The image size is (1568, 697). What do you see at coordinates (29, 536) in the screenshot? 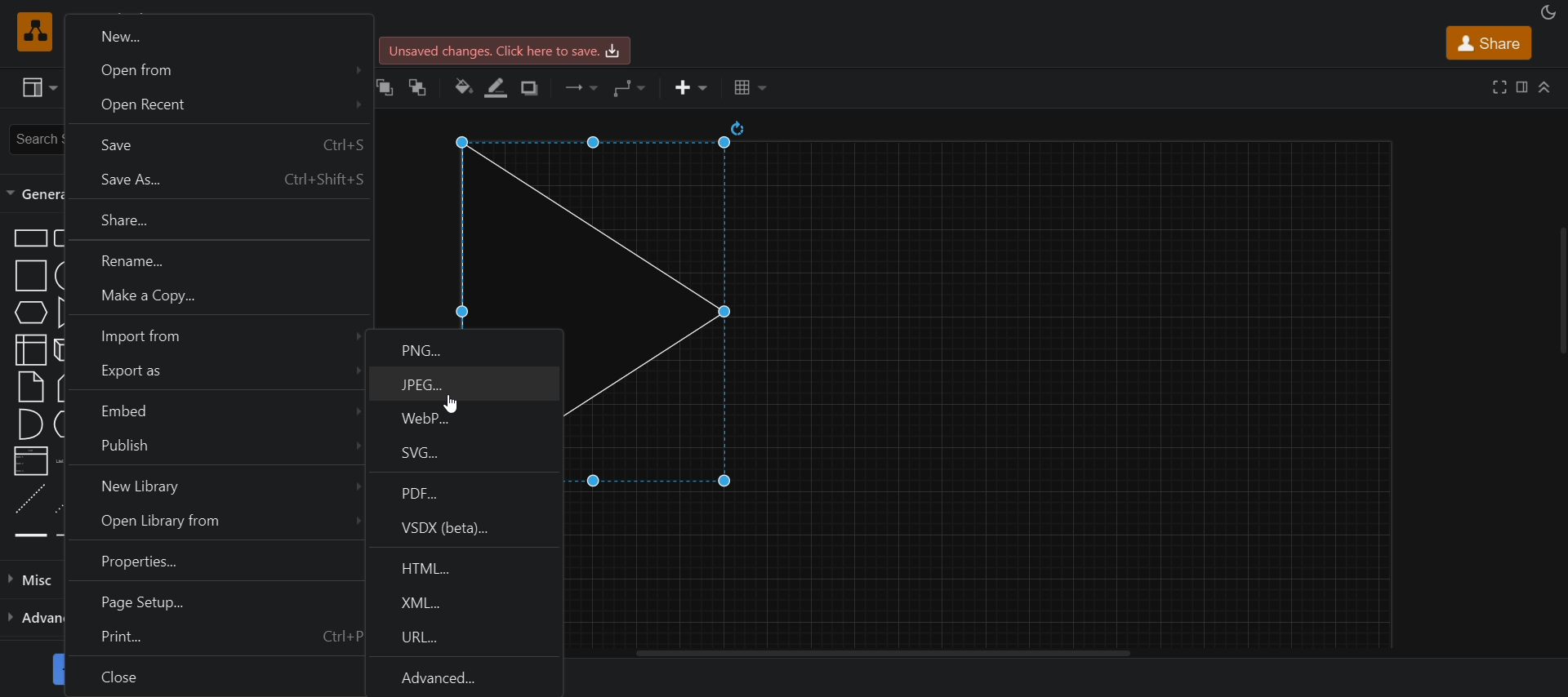
I see `link` at bounding box center [29, 536].